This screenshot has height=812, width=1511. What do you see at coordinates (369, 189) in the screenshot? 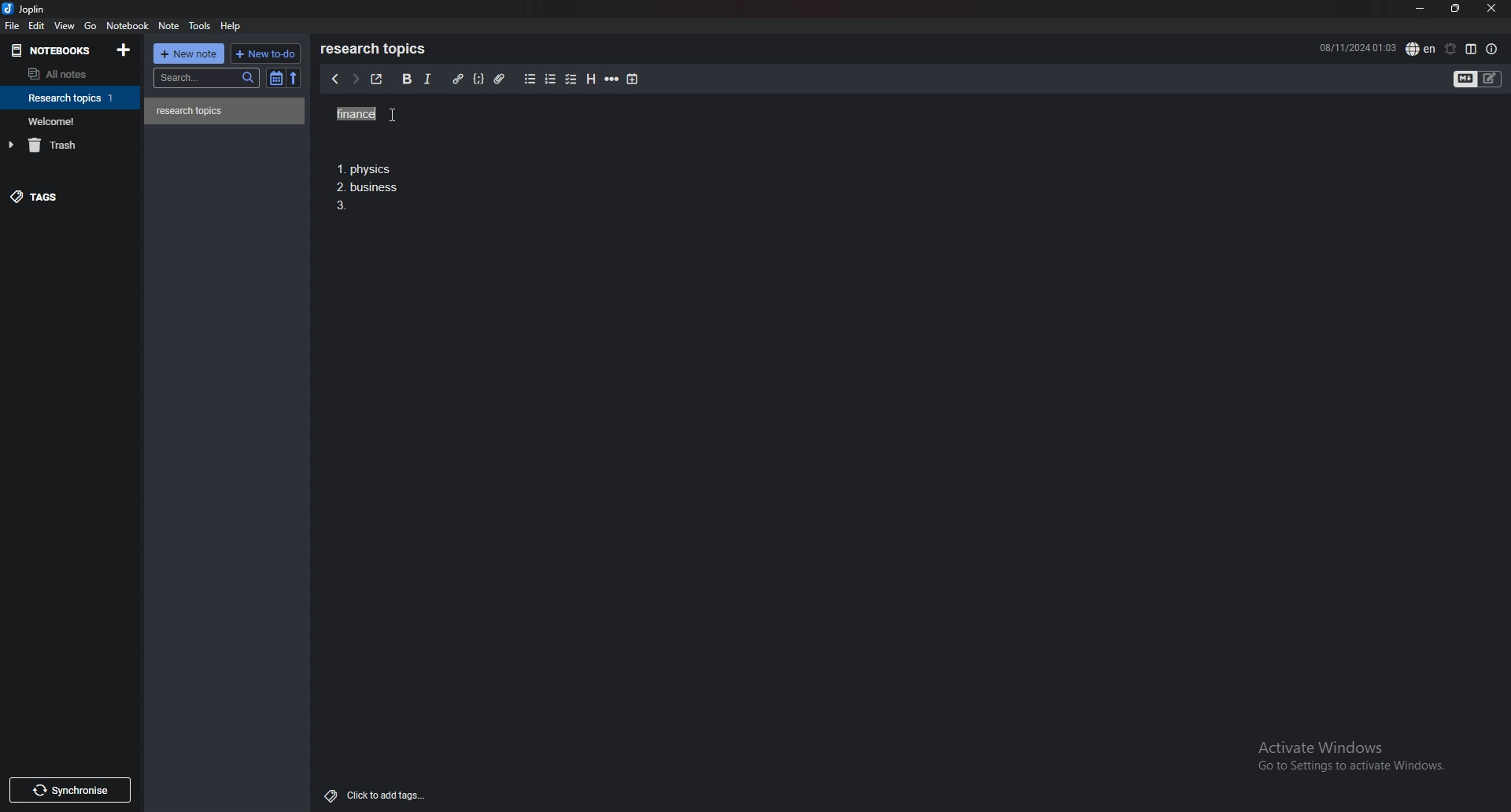
I see `1. Physics 2. business 3.` at bounding box center [369, 189].